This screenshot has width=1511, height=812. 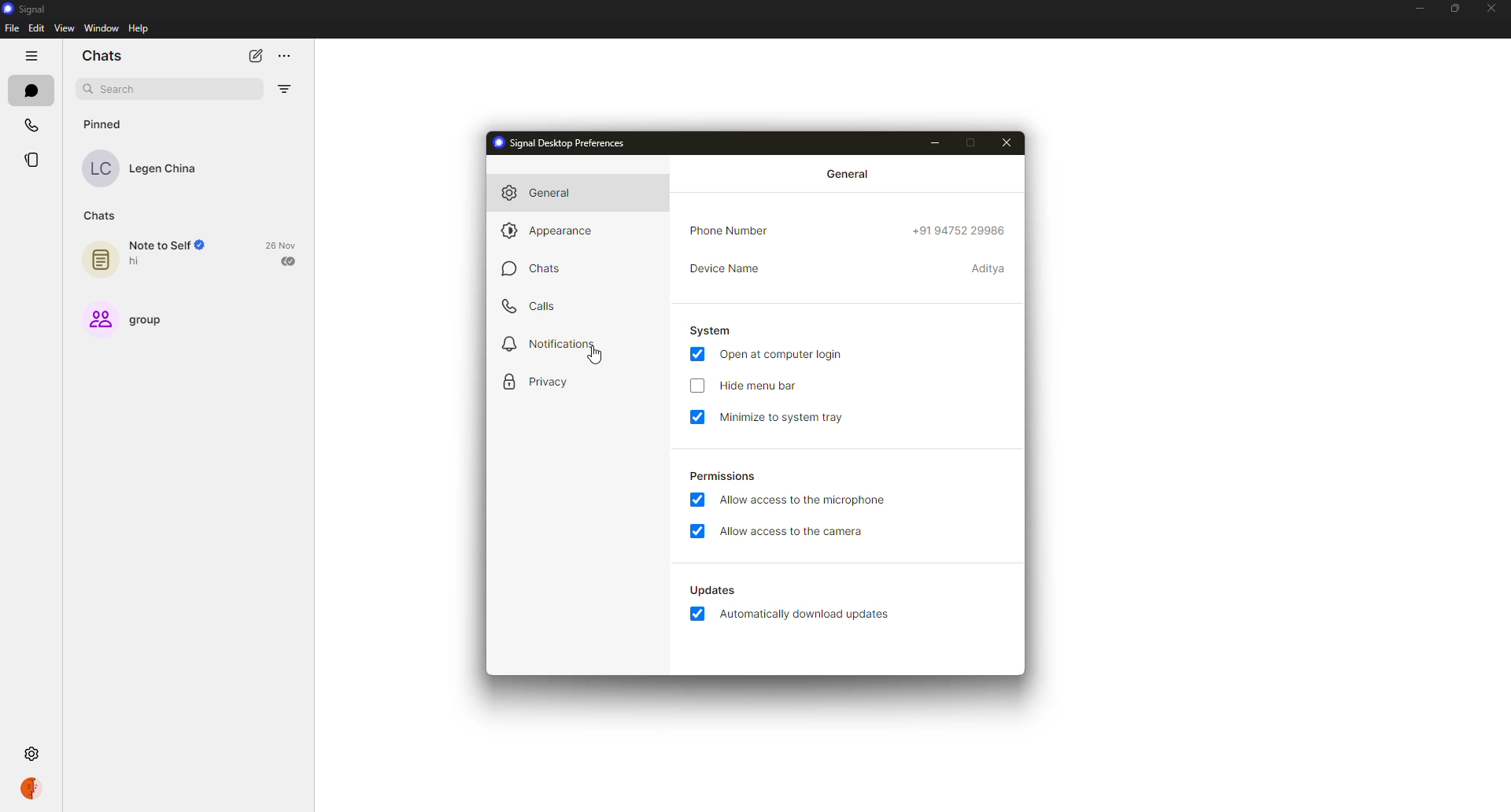 I want to click on calls, so click(x=530, y=307).